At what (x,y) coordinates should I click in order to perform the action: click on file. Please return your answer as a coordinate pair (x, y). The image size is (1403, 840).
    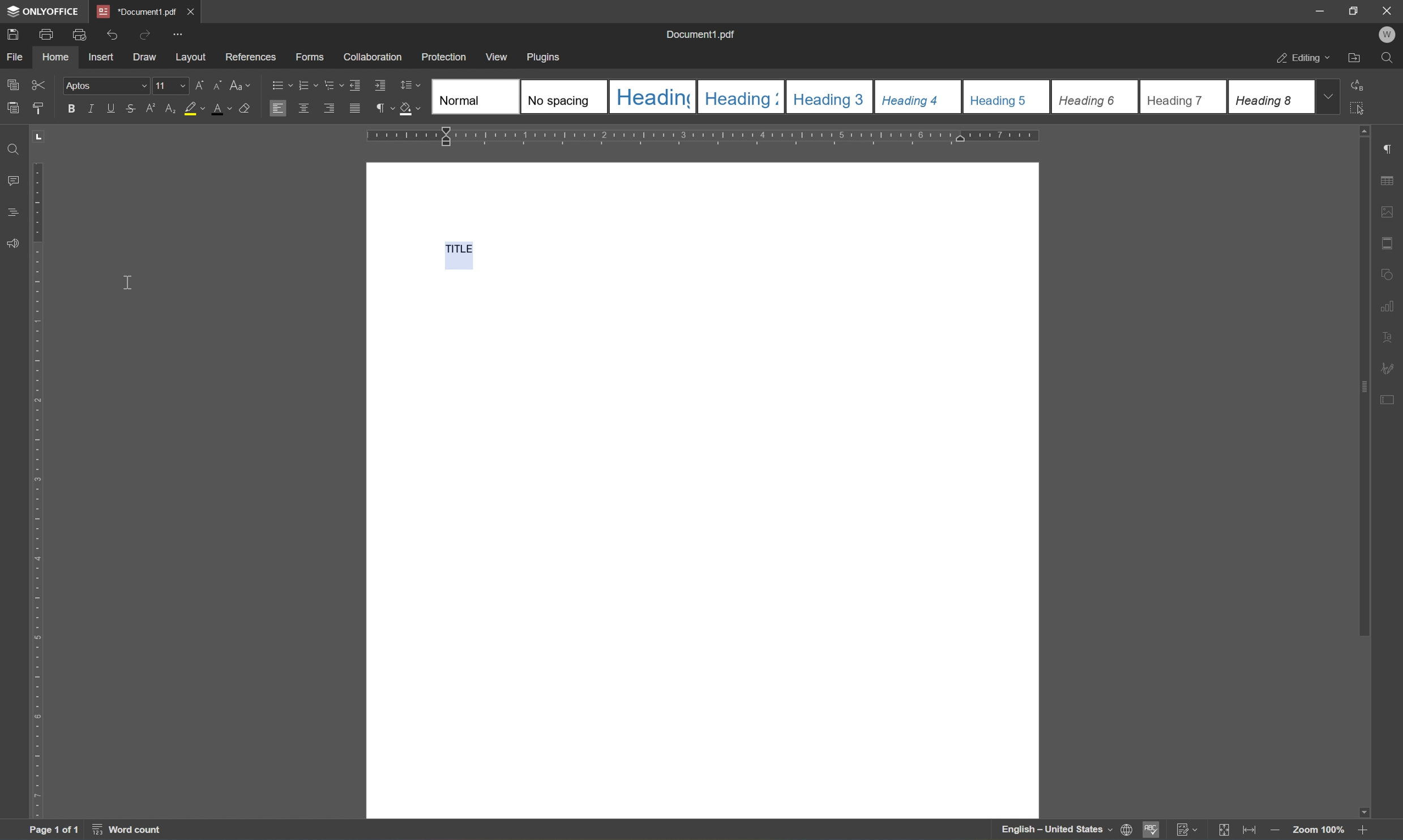
    Looking at the image, I should click on (15, 55).